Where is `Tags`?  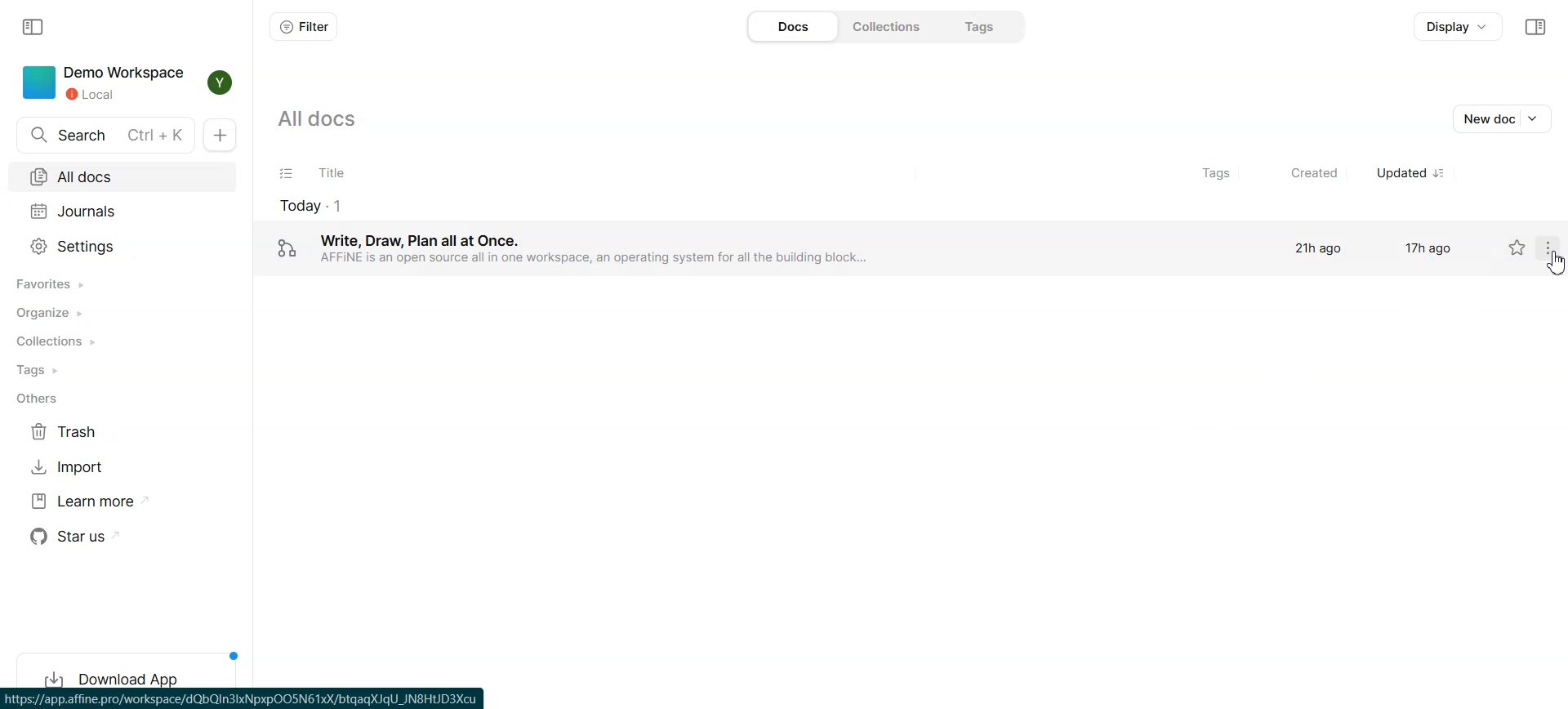
Tags is located at coordinates (982, 27).